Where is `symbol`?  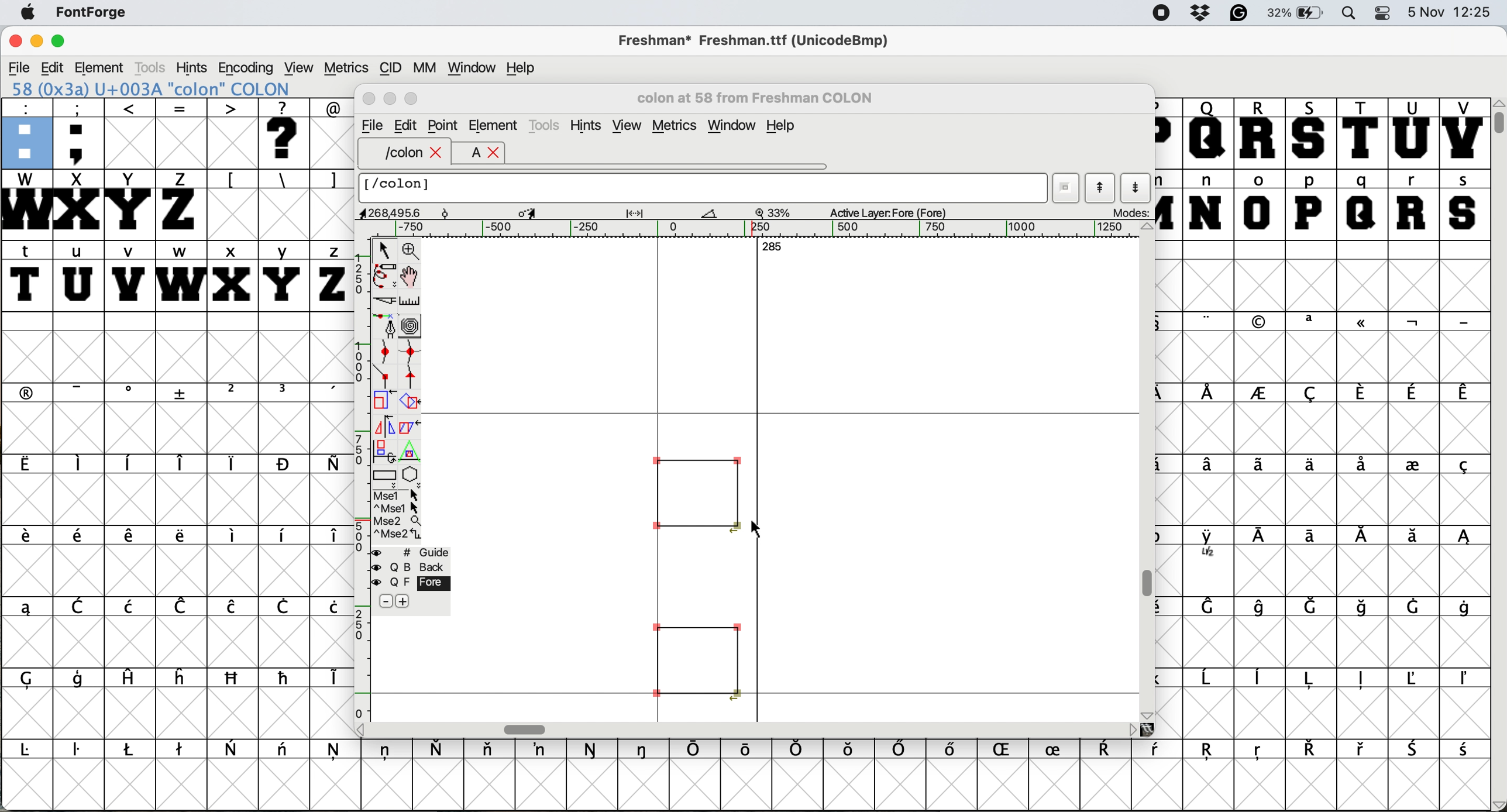 symbol is located at coordinates (441, 748).